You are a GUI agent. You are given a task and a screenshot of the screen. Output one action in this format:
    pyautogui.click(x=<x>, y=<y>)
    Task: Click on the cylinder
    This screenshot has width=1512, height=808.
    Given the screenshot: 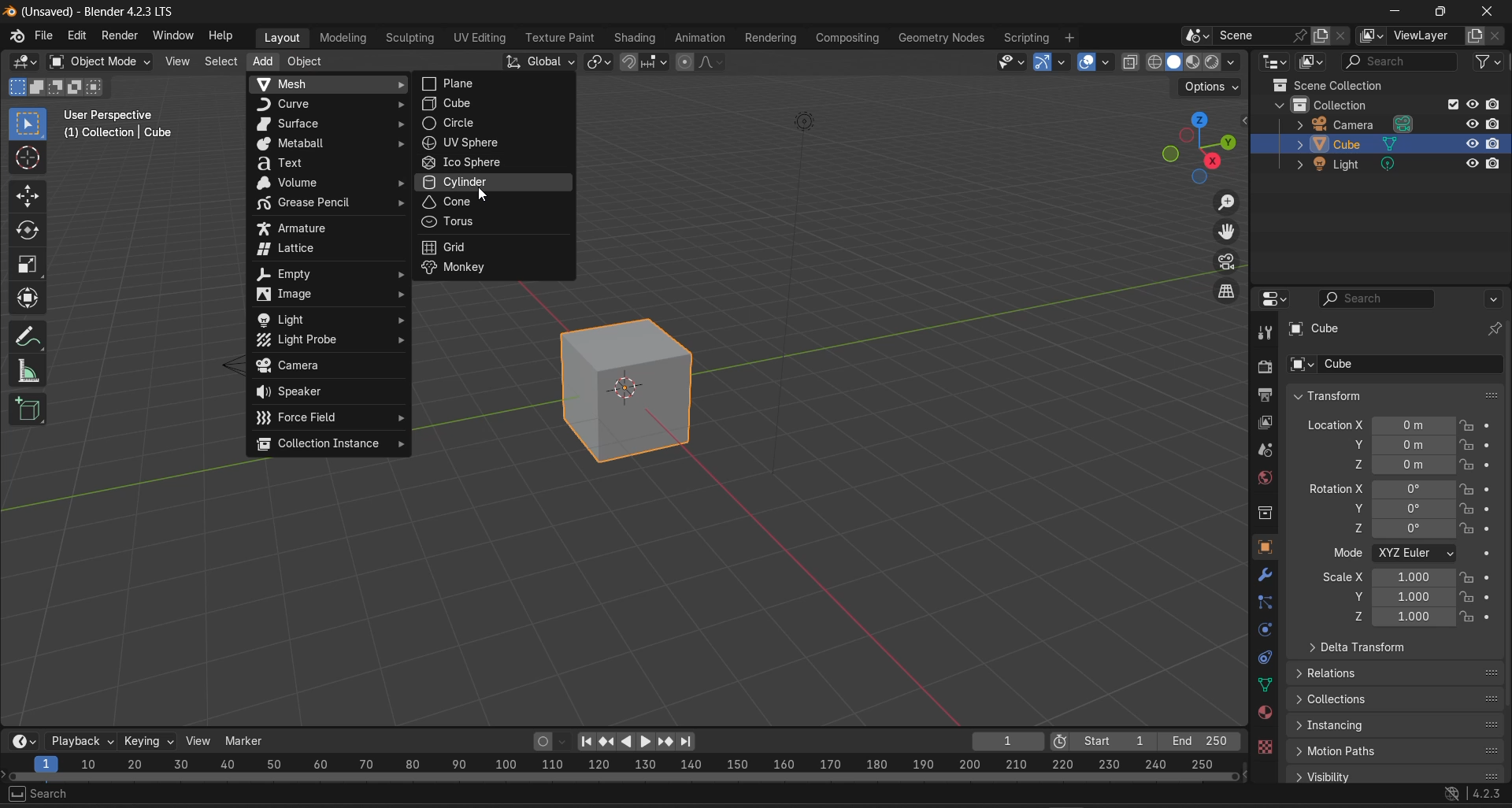 What is the action you would take?
    pyautogui.click(x=493, y=182)
    